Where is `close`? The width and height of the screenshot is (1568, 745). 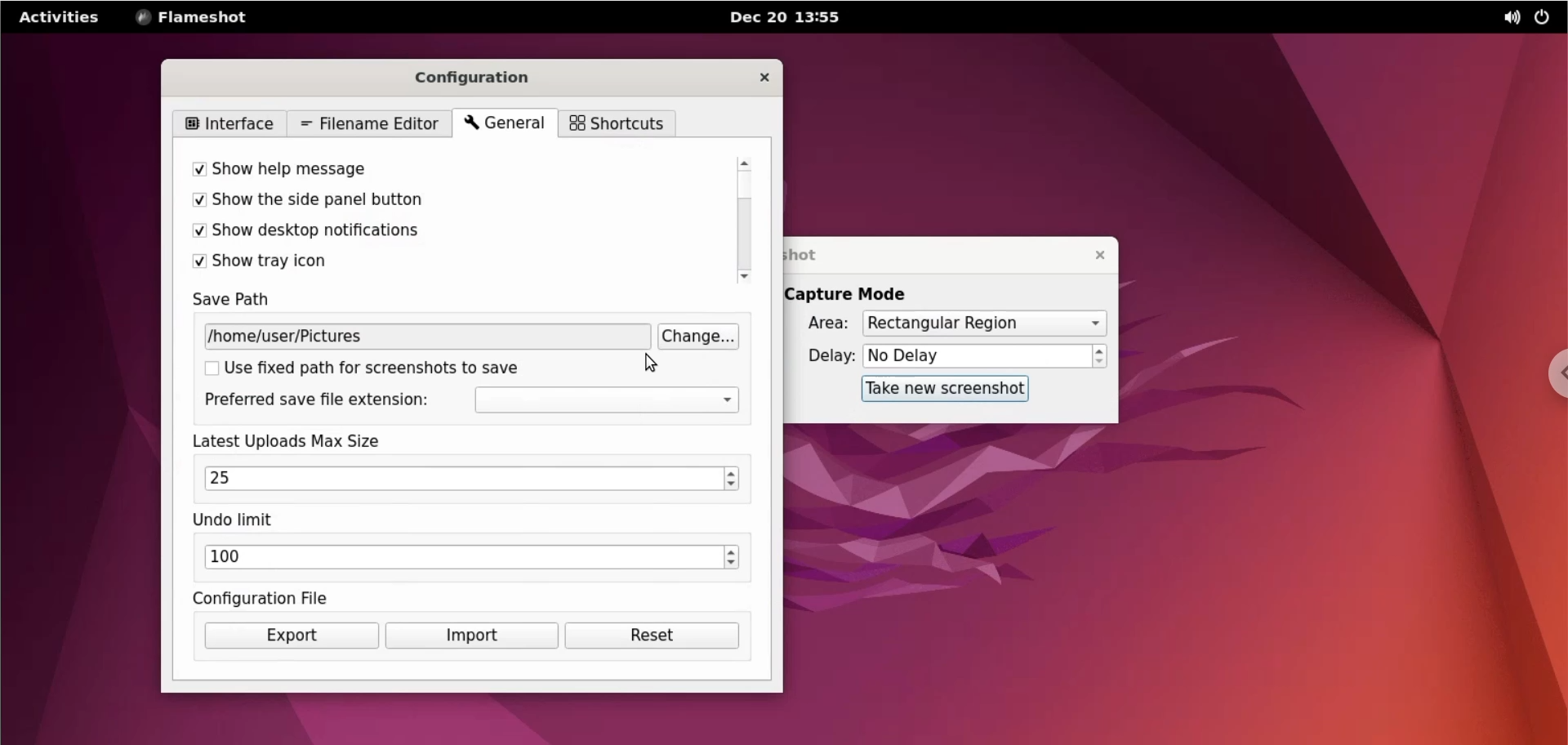
close is located at coordinates (1097, 256).